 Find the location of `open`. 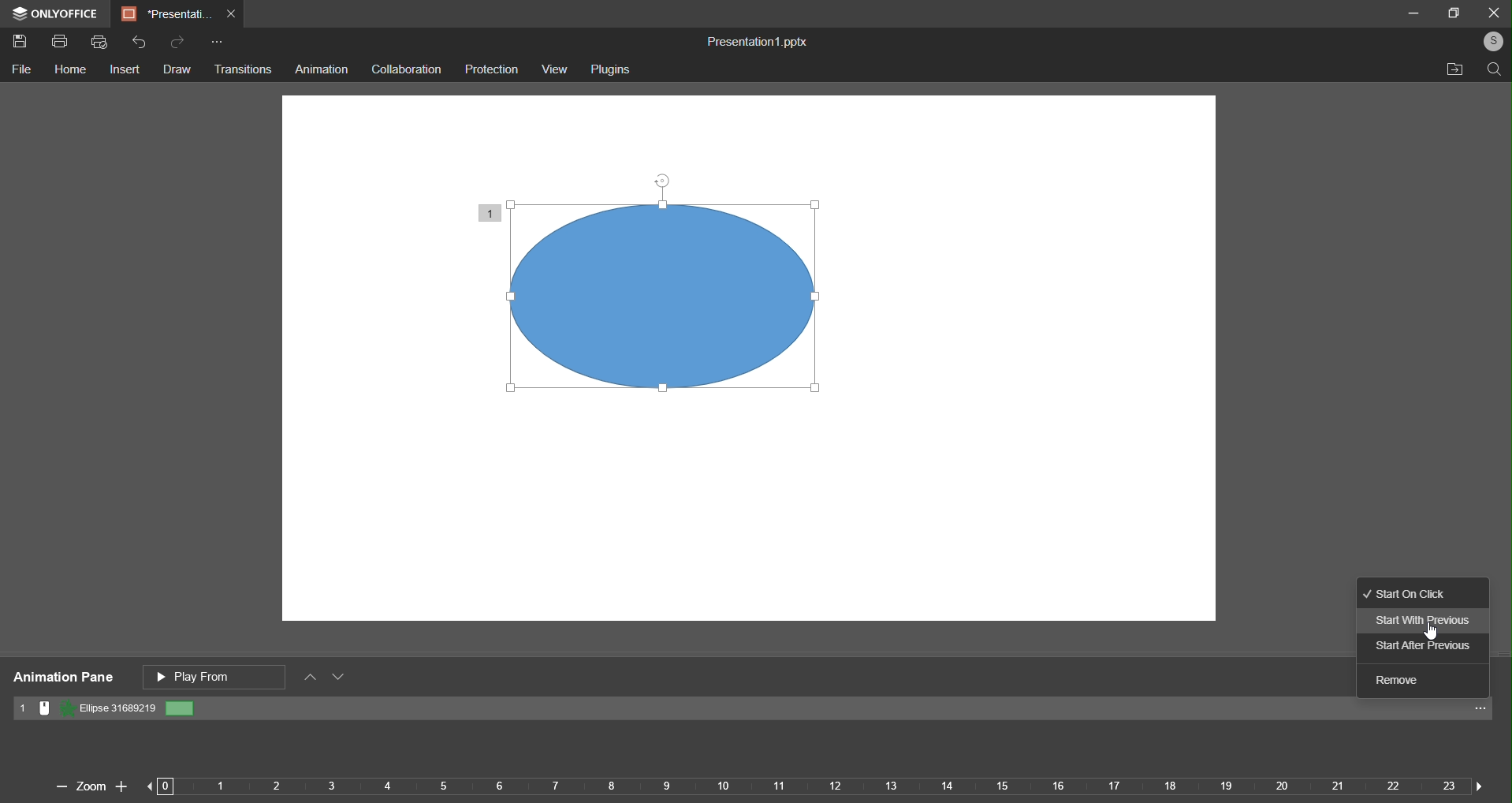

open is located at coordinates (1451, 70).